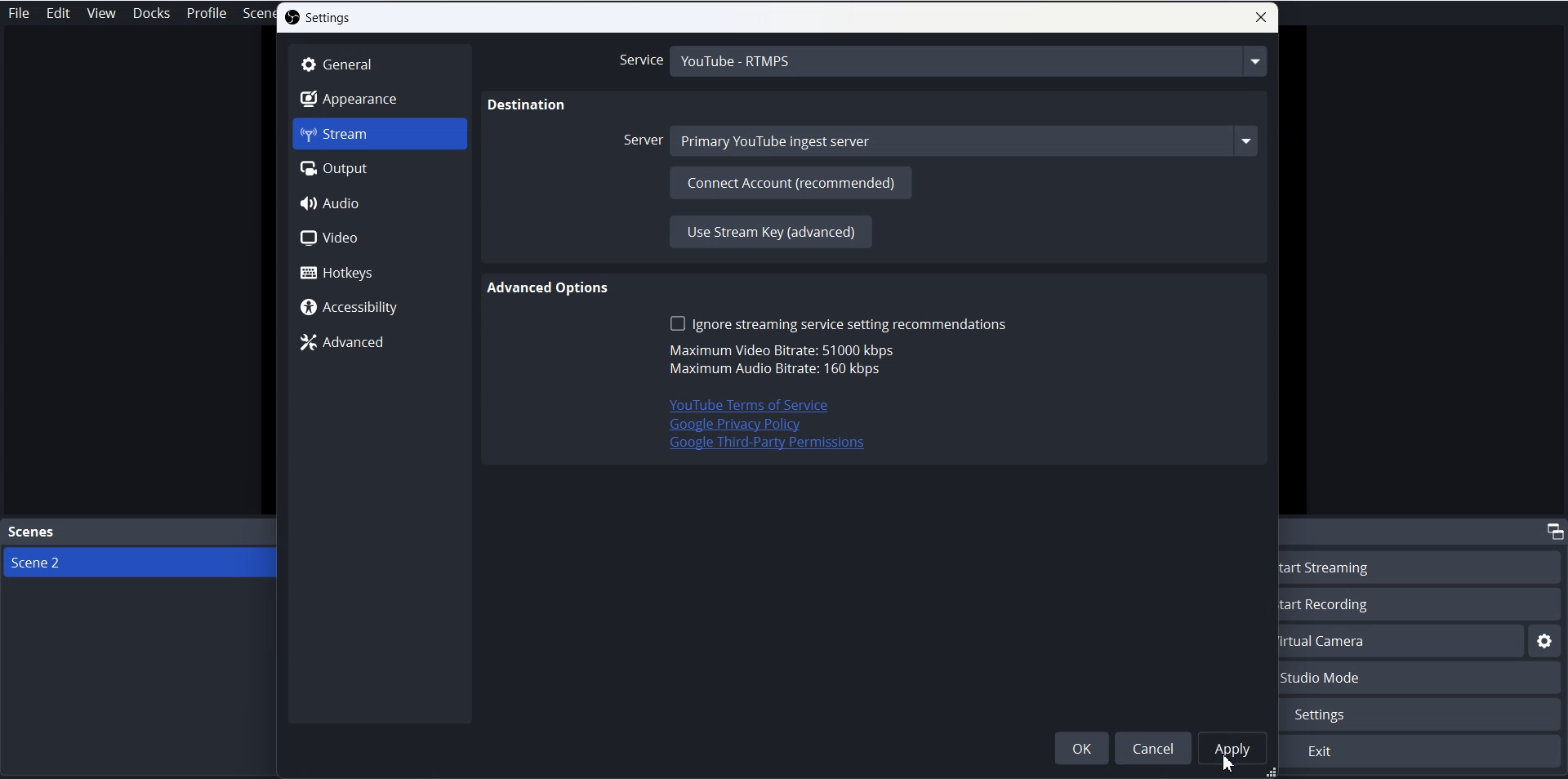 The height and width of the screenshot is (779, 1568). Describe the element at coordinates (207, 13) in the screenshot. I see `Profile` at that location.